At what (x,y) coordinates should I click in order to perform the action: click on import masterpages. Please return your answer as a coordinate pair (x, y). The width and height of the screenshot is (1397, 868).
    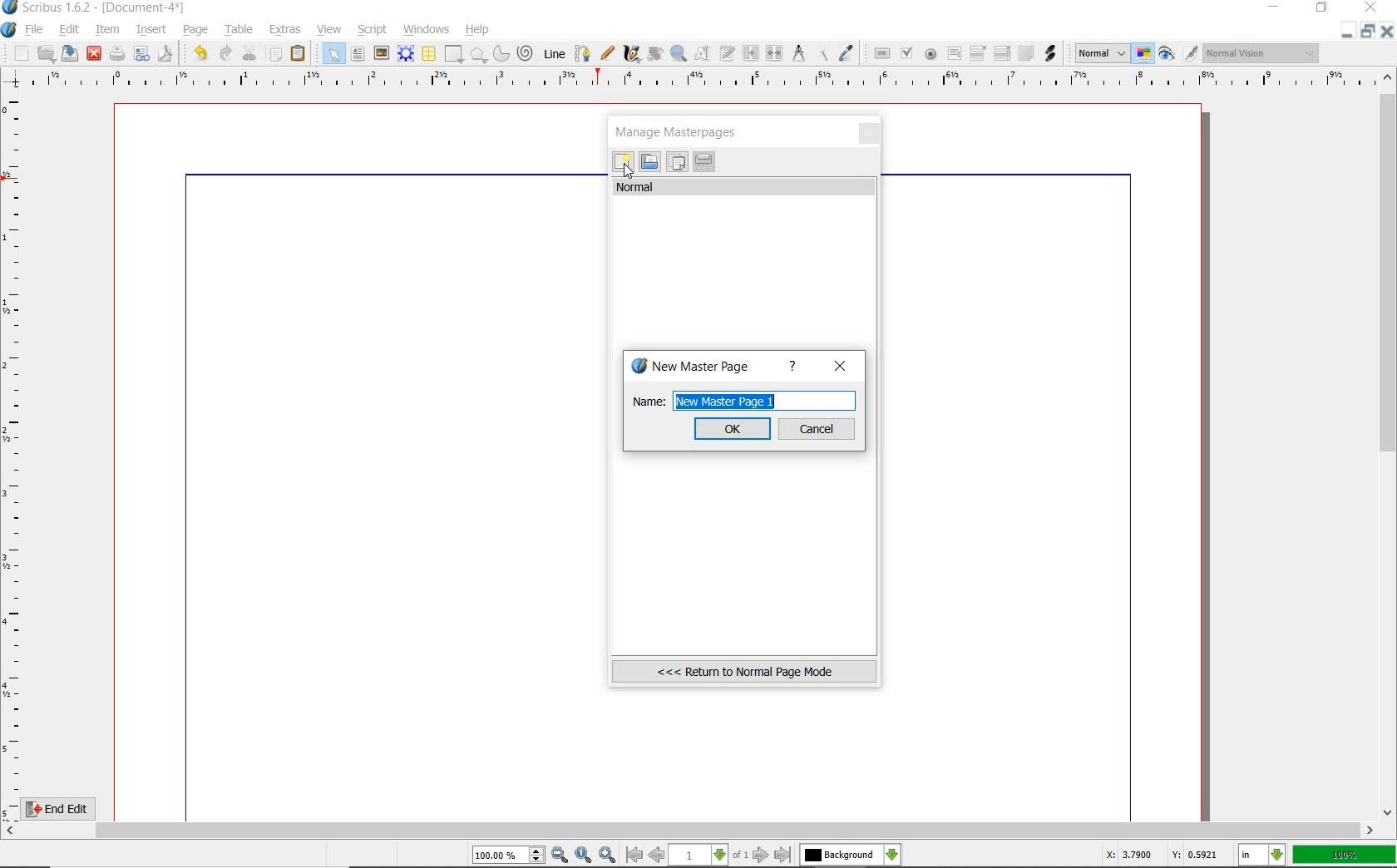
    Looking at the image, I should click on (649, 162).